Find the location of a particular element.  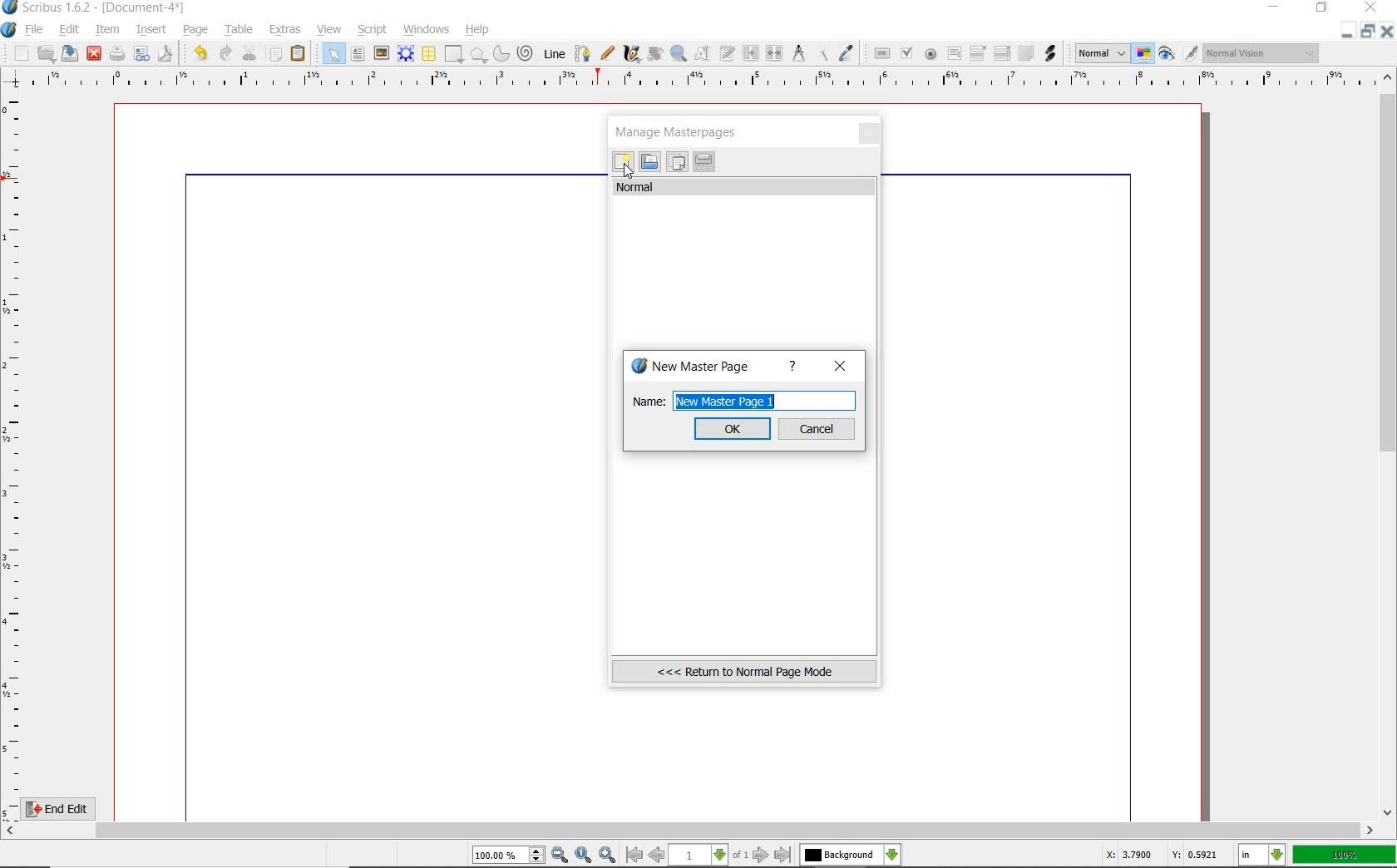

zoom in is located at coordinates (607, 854).